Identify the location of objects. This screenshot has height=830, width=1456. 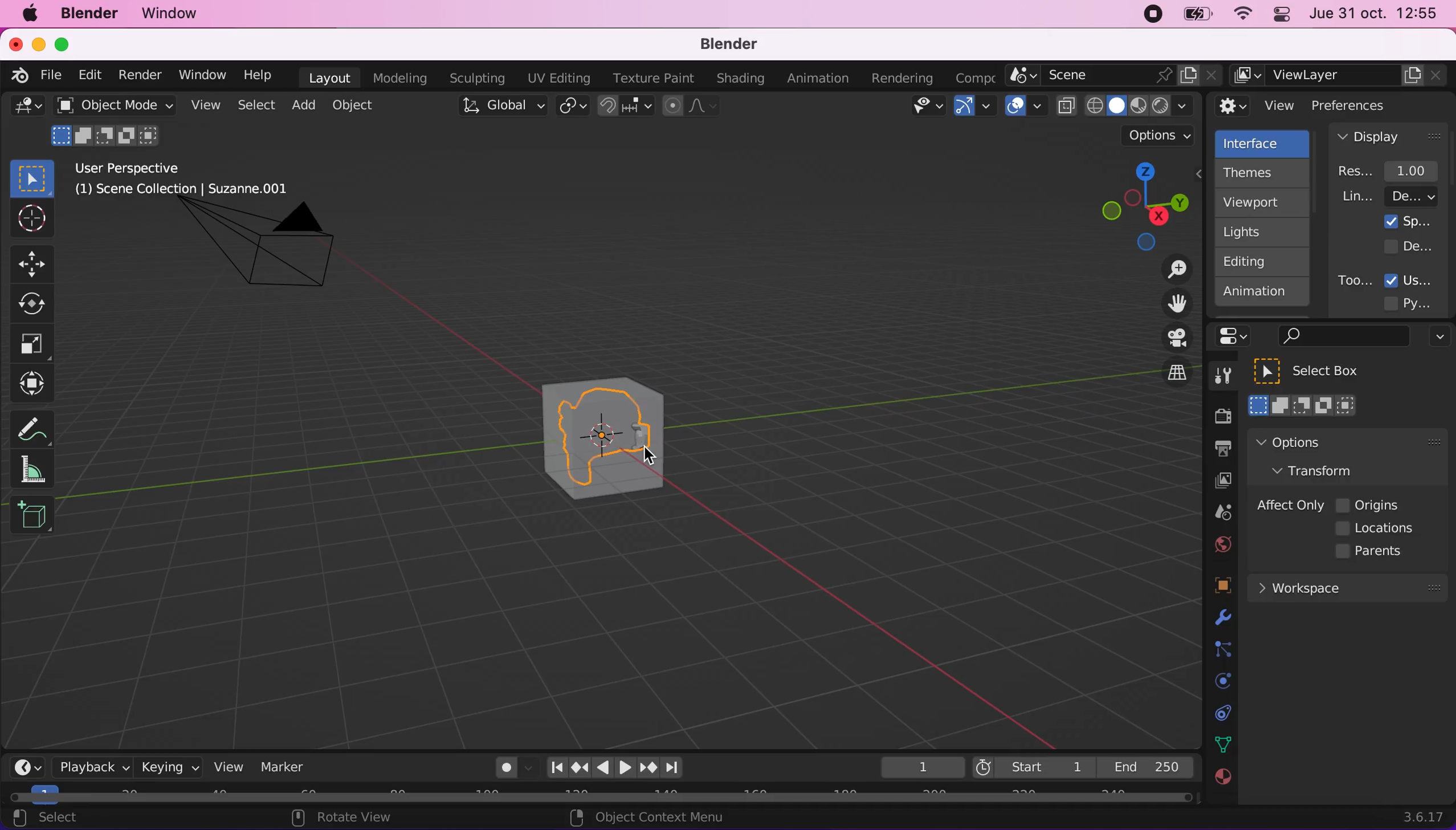
(1209, 587).